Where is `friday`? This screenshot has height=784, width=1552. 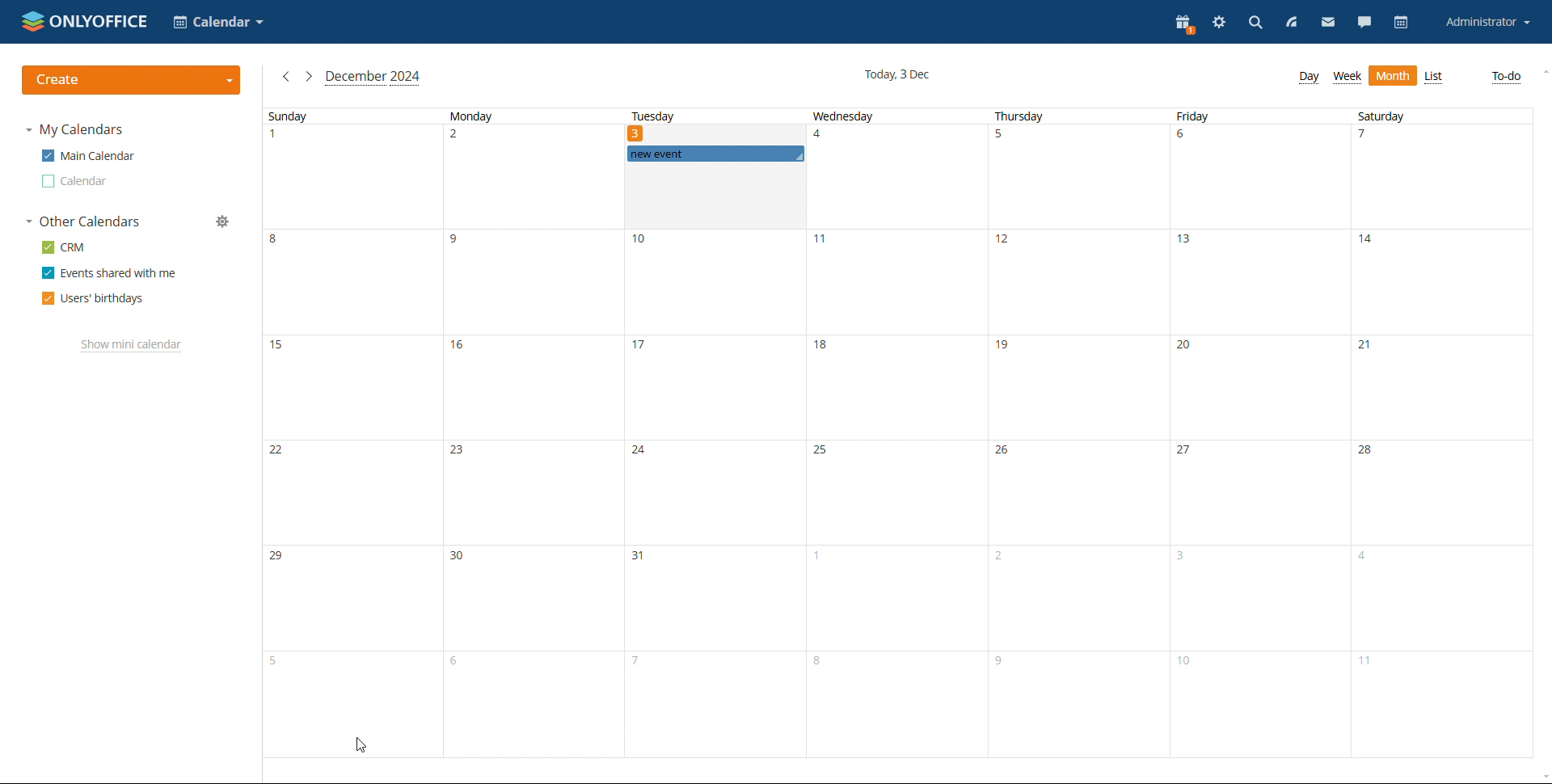 friday is located at coordinates (1254, 433).